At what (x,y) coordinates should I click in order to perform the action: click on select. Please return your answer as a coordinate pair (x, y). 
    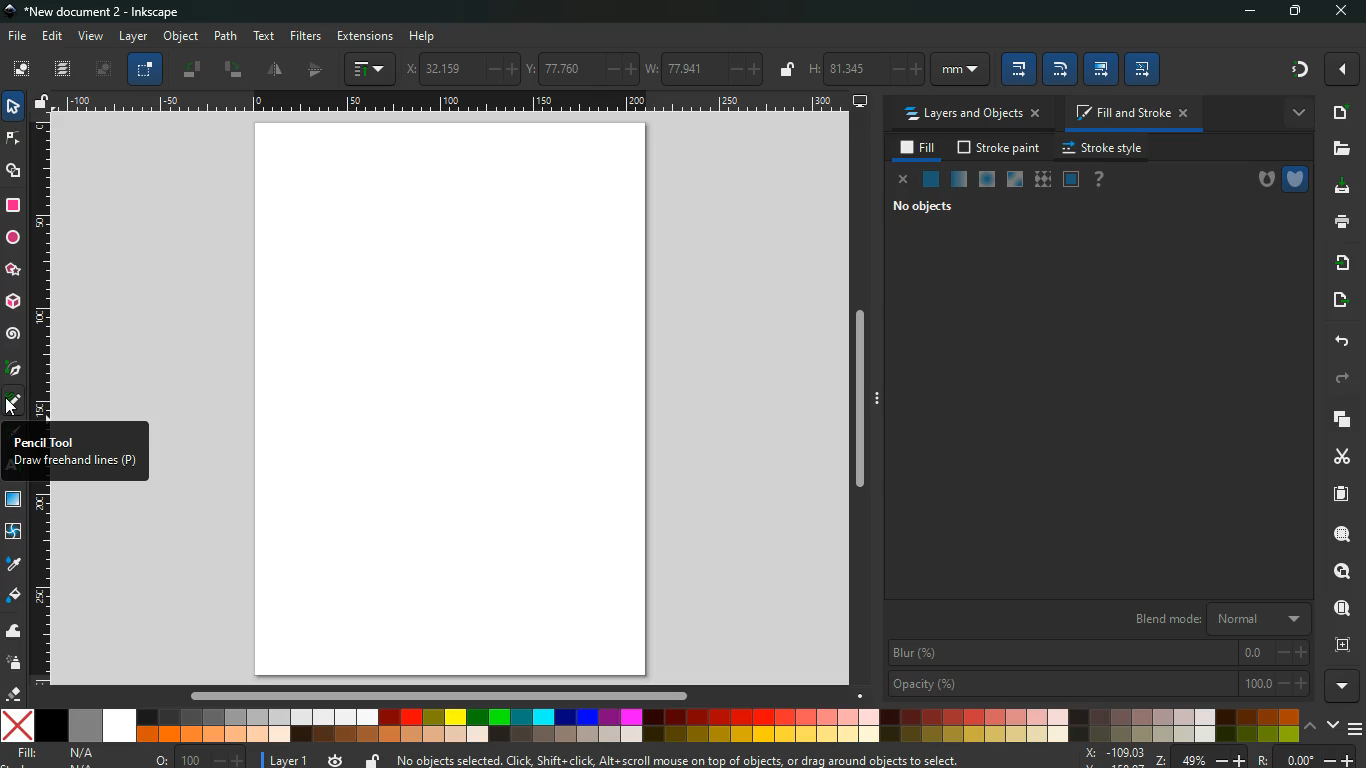
    Looking at the image, I should click on (145, 69).